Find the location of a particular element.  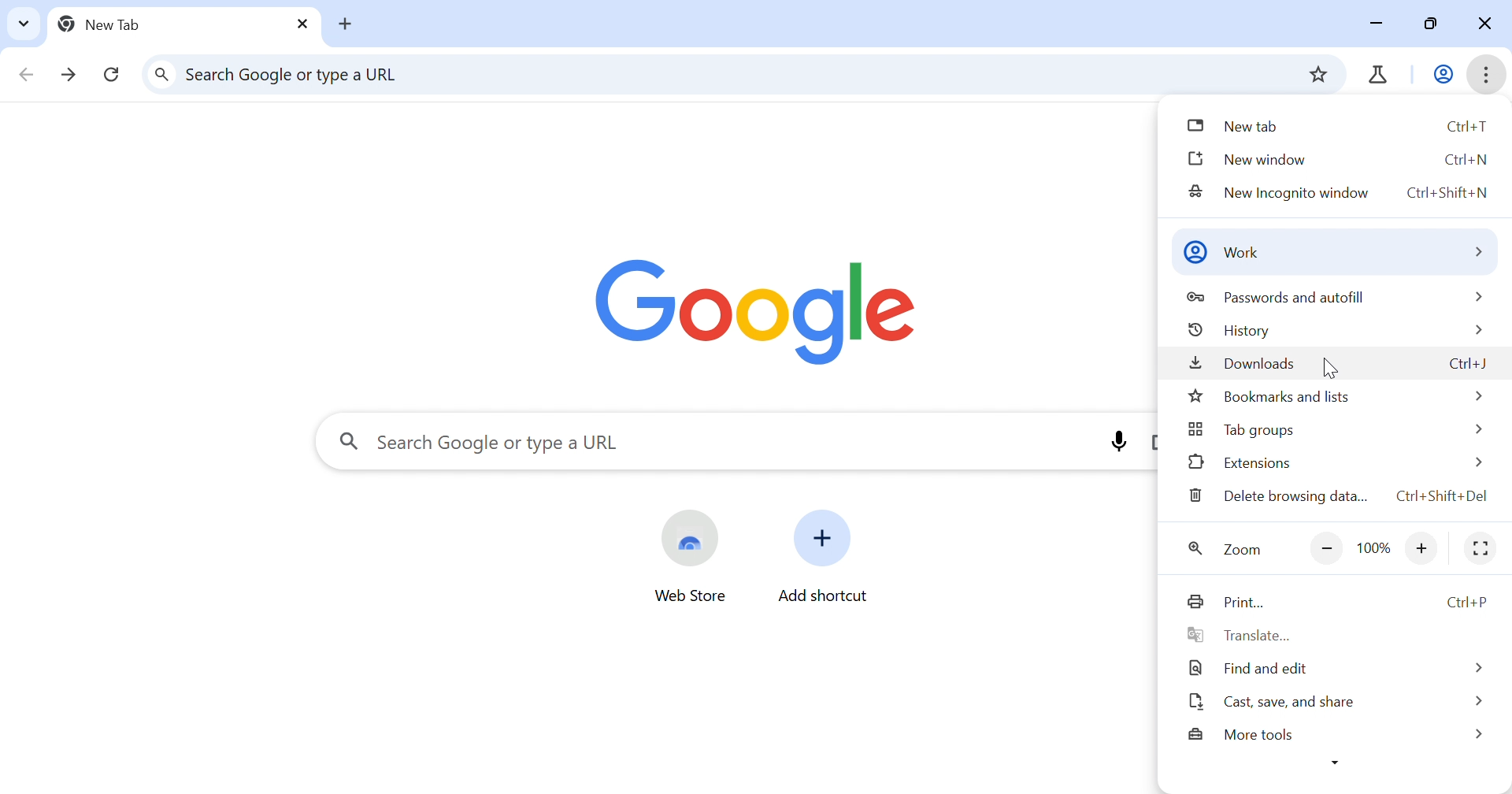

Bookmark this tab is located at coordinates (1316, 74).